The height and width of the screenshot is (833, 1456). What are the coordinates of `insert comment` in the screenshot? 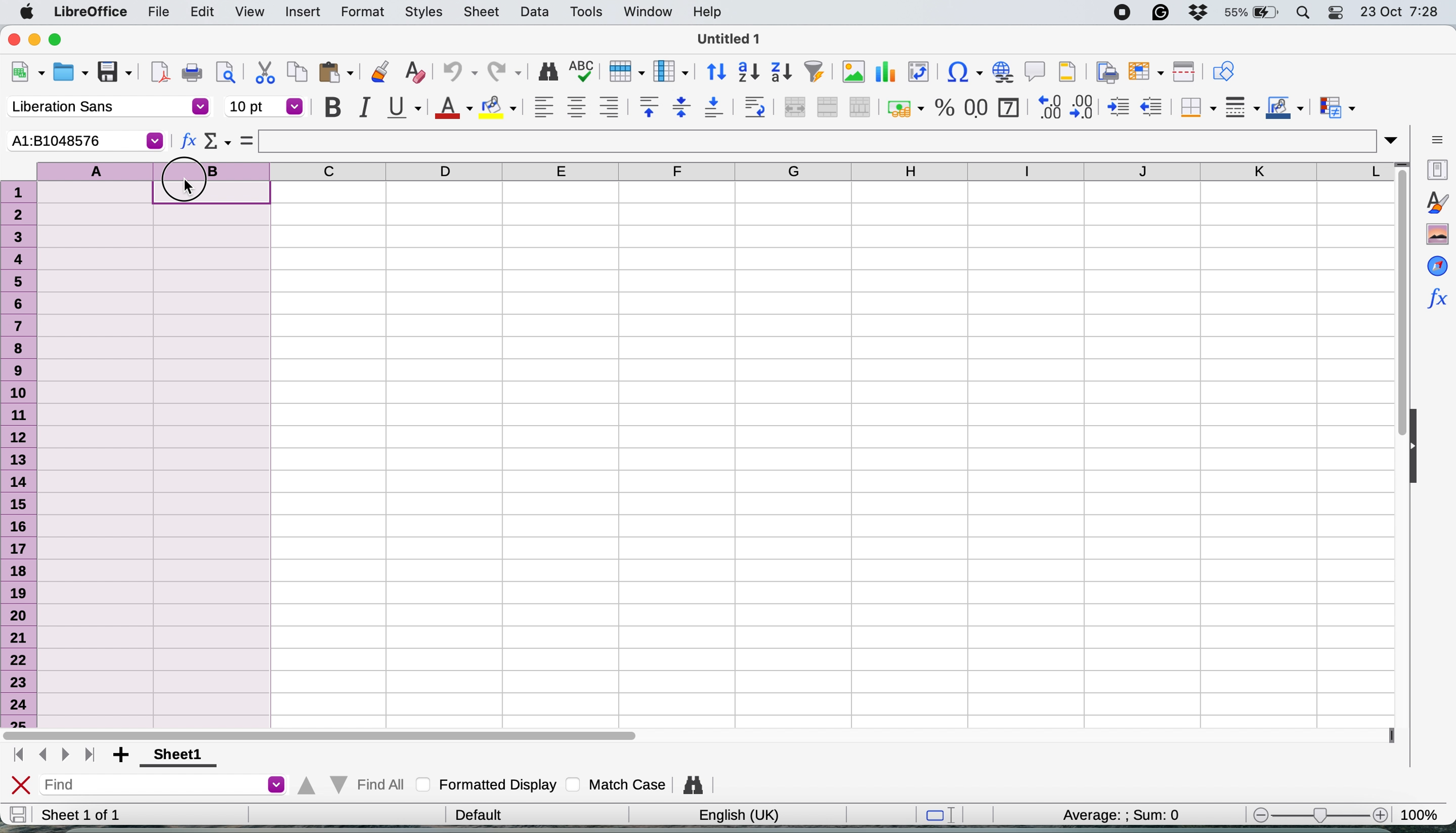 It's located at (1033, 72).